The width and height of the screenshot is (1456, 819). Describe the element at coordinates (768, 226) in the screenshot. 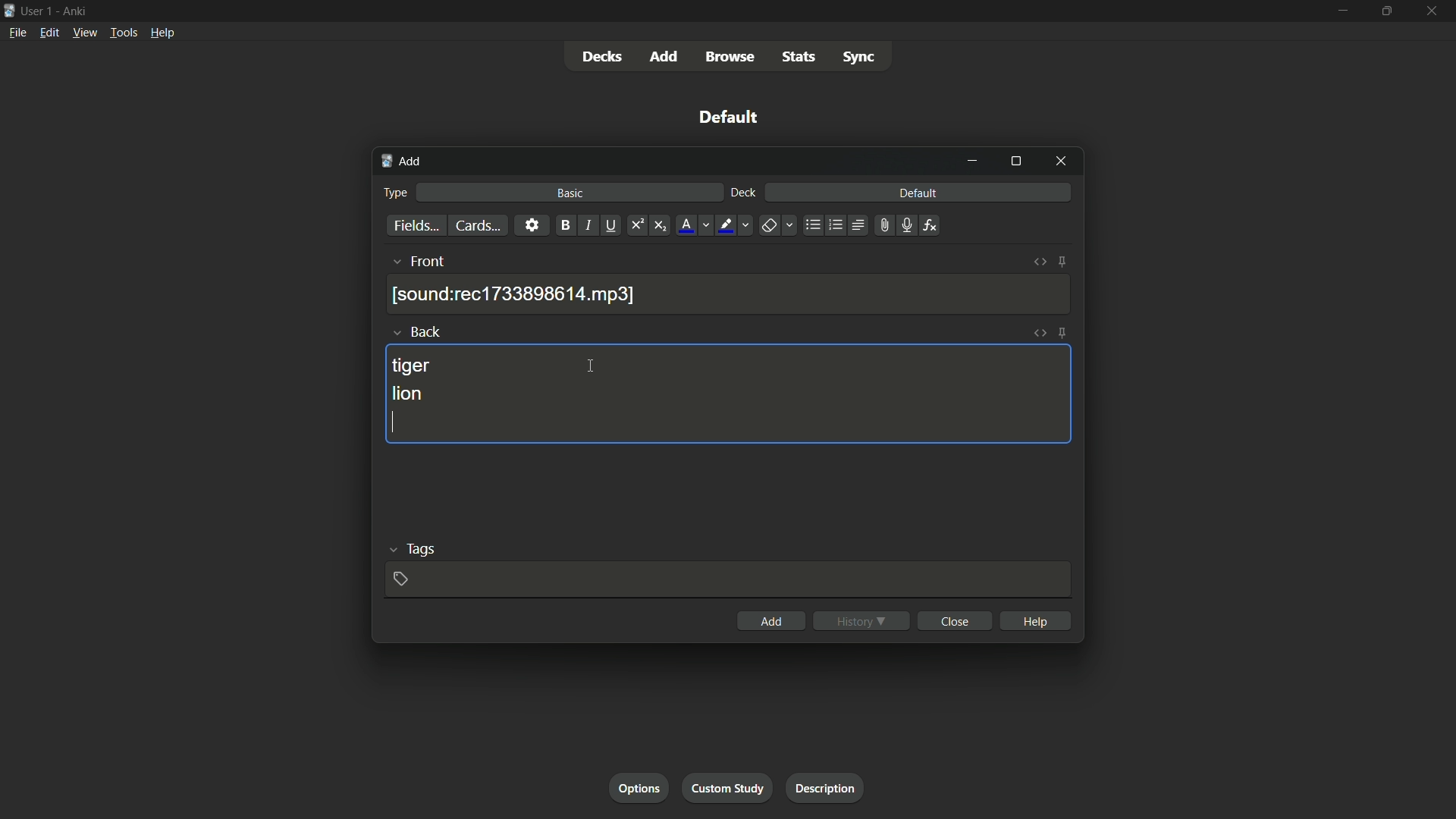

I see `remove  formatting` at that location.